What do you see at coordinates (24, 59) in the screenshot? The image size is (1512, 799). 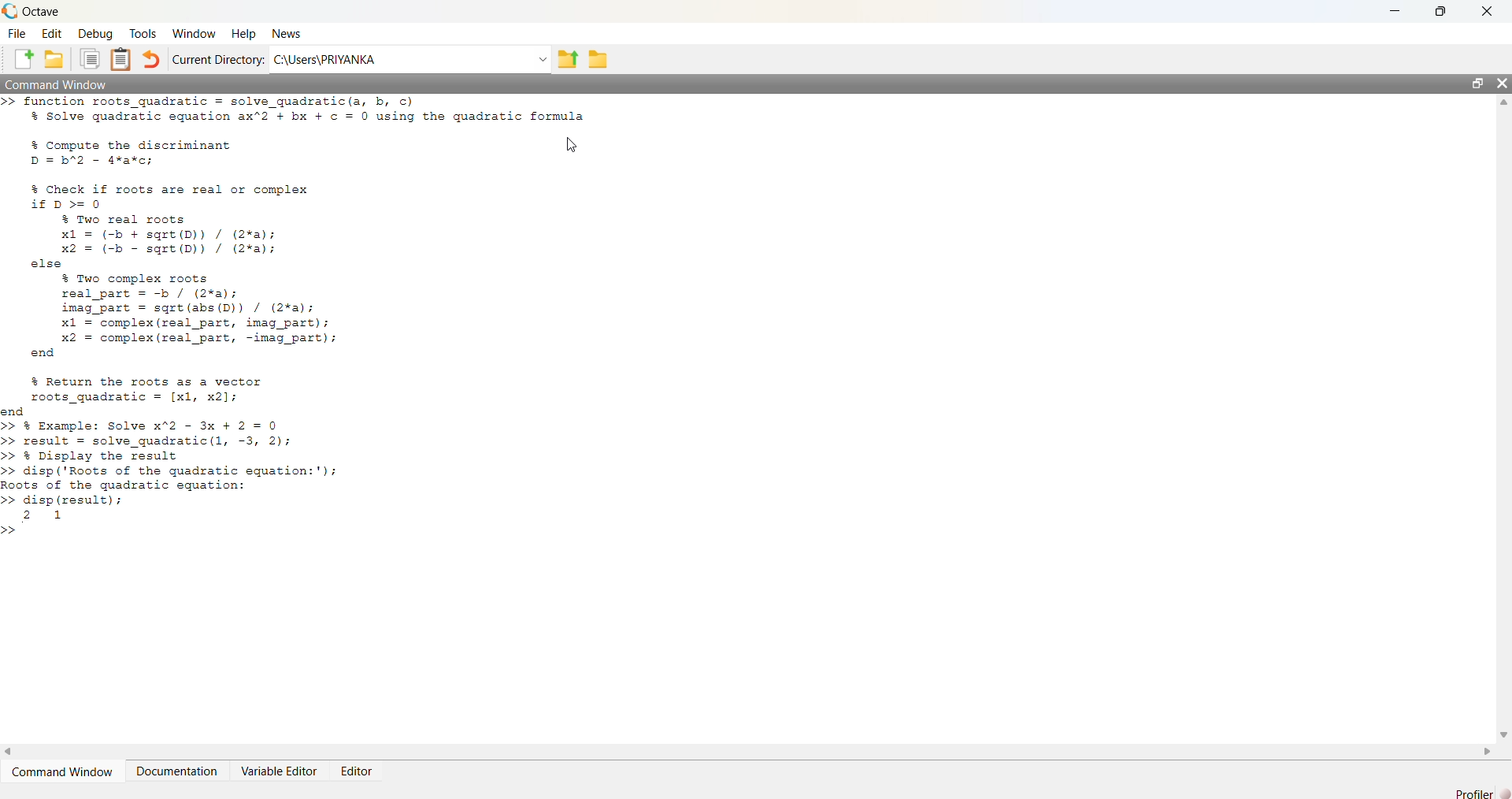 I see `New script` at bounding box center [24, 59].